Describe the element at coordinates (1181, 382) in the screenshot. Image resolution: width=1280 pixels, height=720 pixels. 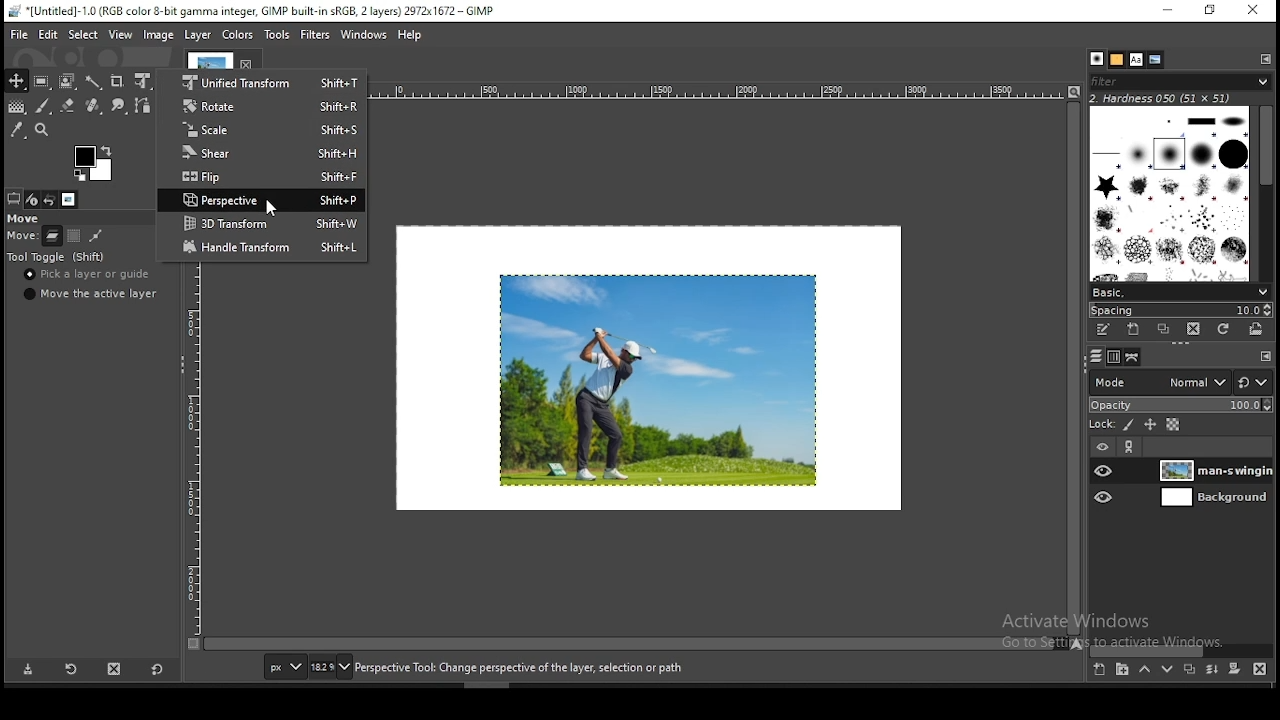
I see `blend mode` at that location.